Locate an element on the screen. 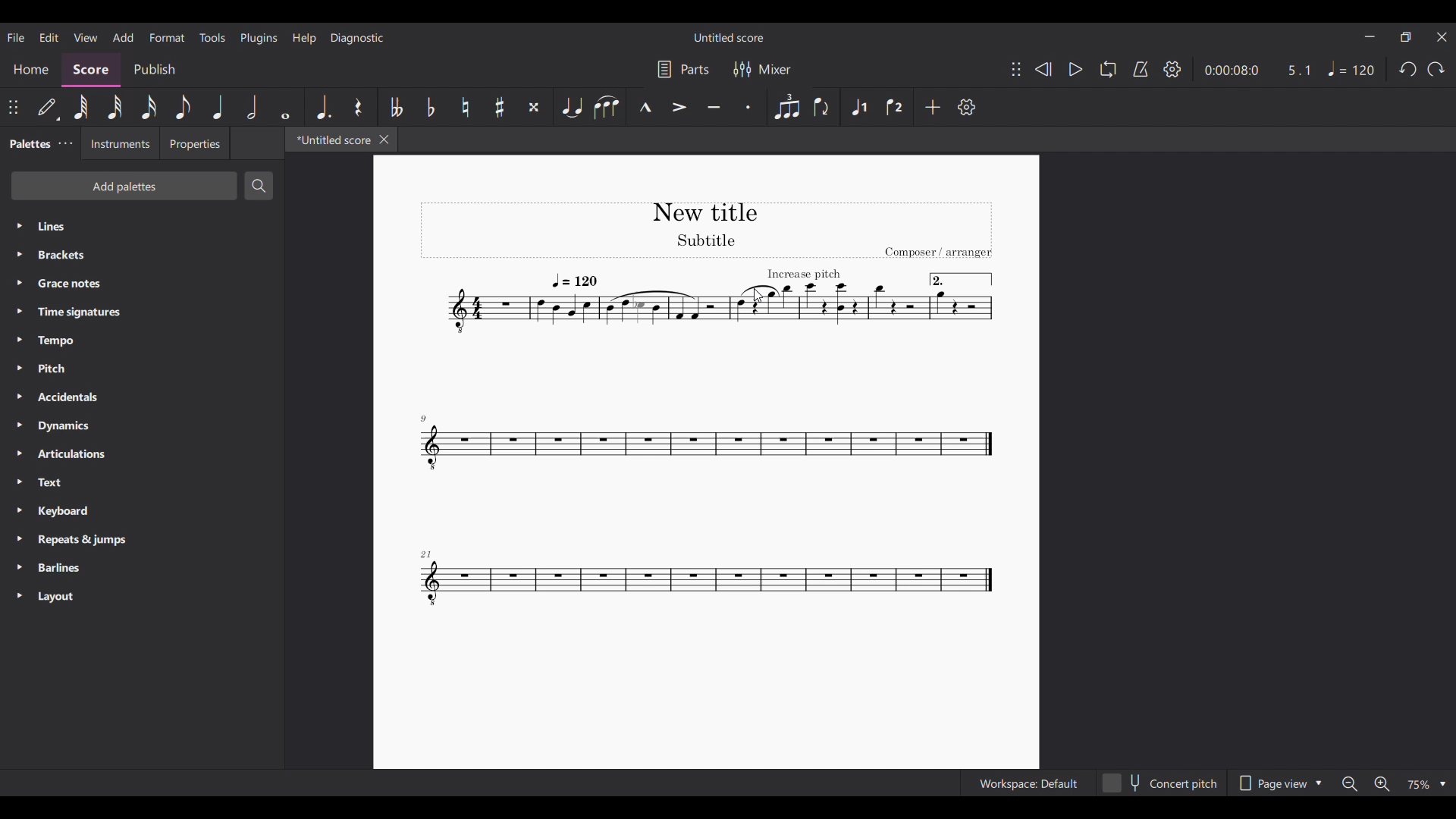 This screenshot has width=1456, height=819. Current ratio is located at coordinates (1299, 70).